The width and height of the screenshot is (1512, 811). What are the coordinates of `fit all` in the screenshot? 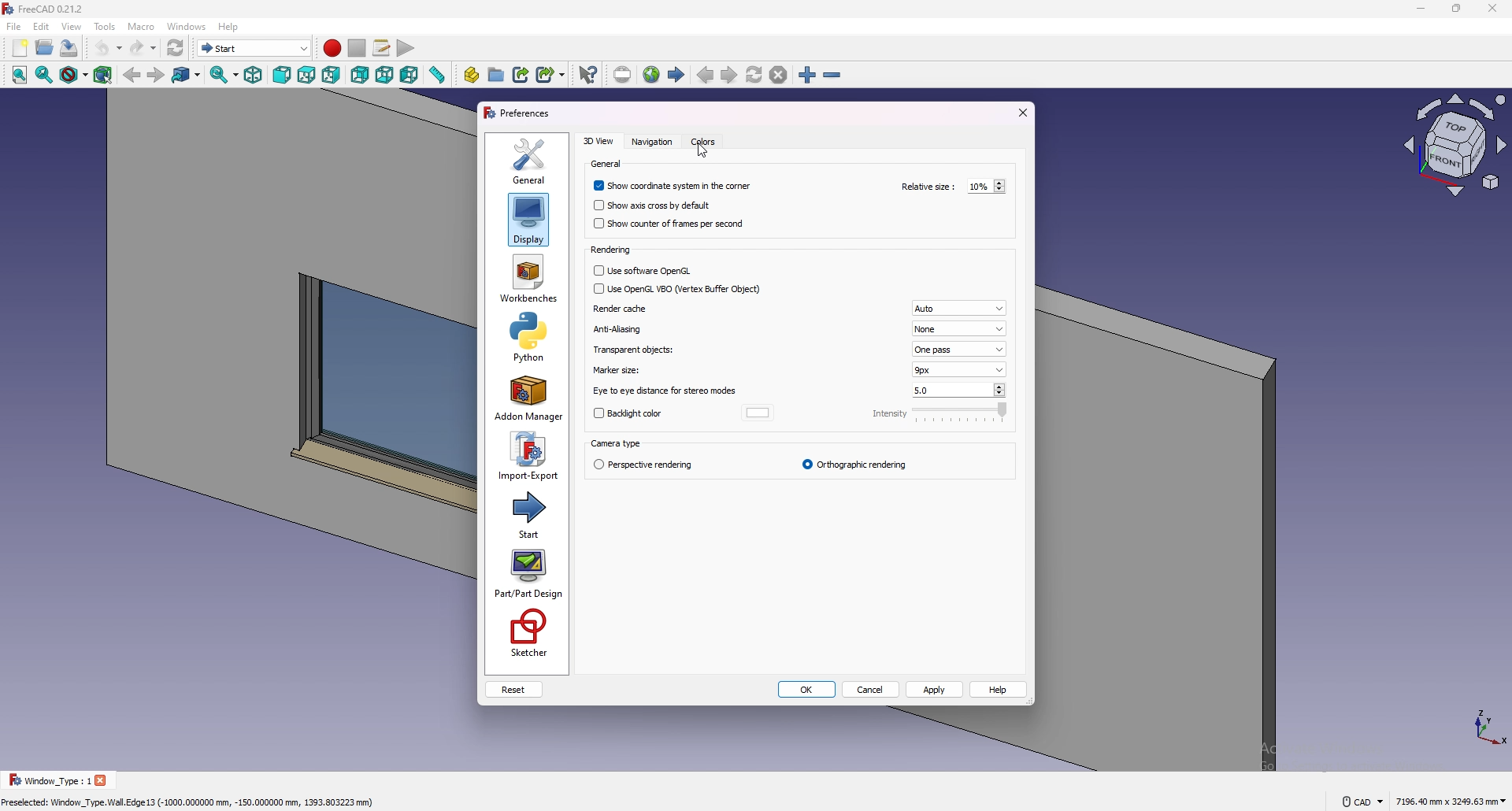 It's located at (17, 76).